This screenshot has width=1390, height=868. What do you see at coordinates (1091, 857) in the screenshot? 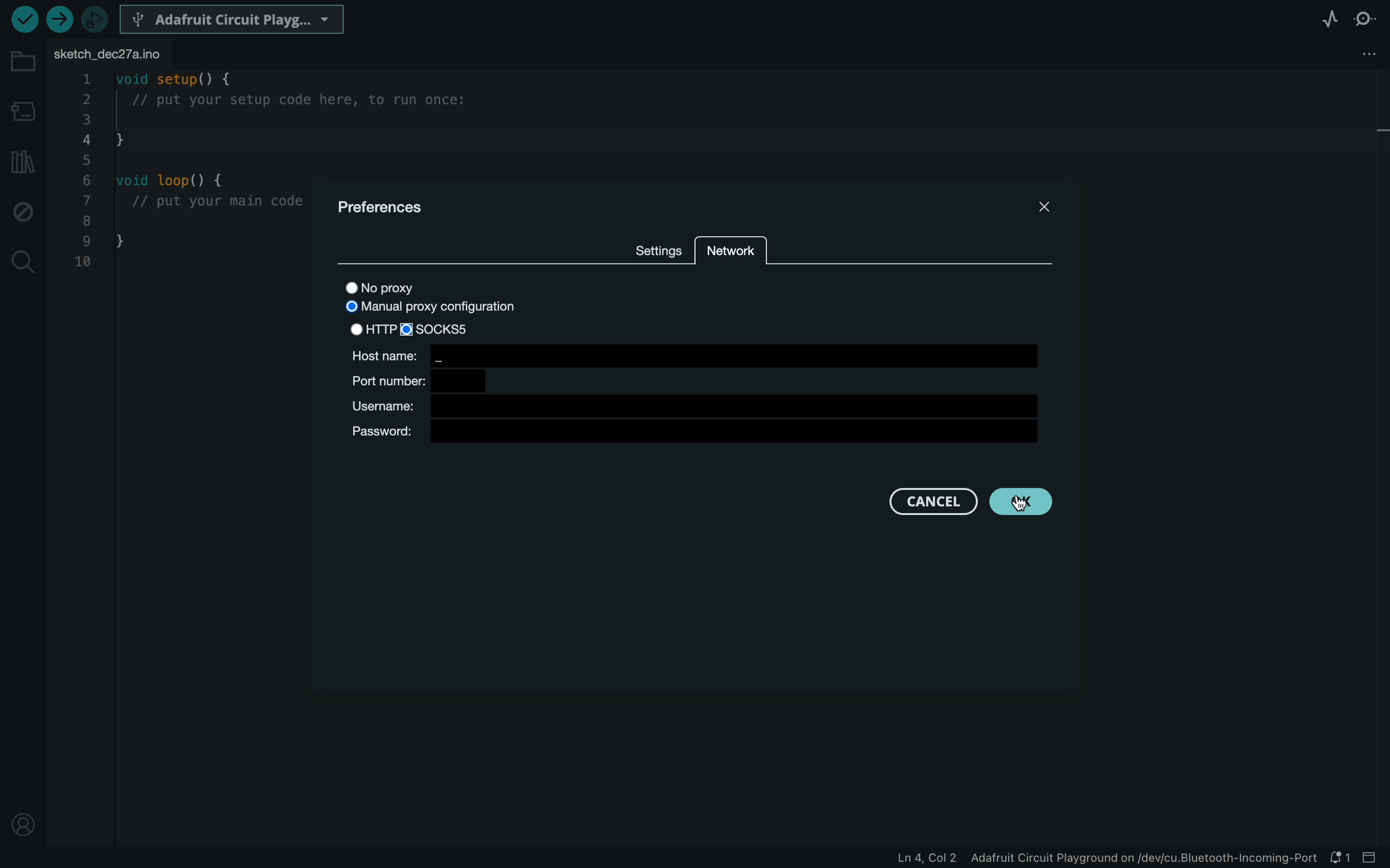
I see `file information` at bounding box center [1091, 857].